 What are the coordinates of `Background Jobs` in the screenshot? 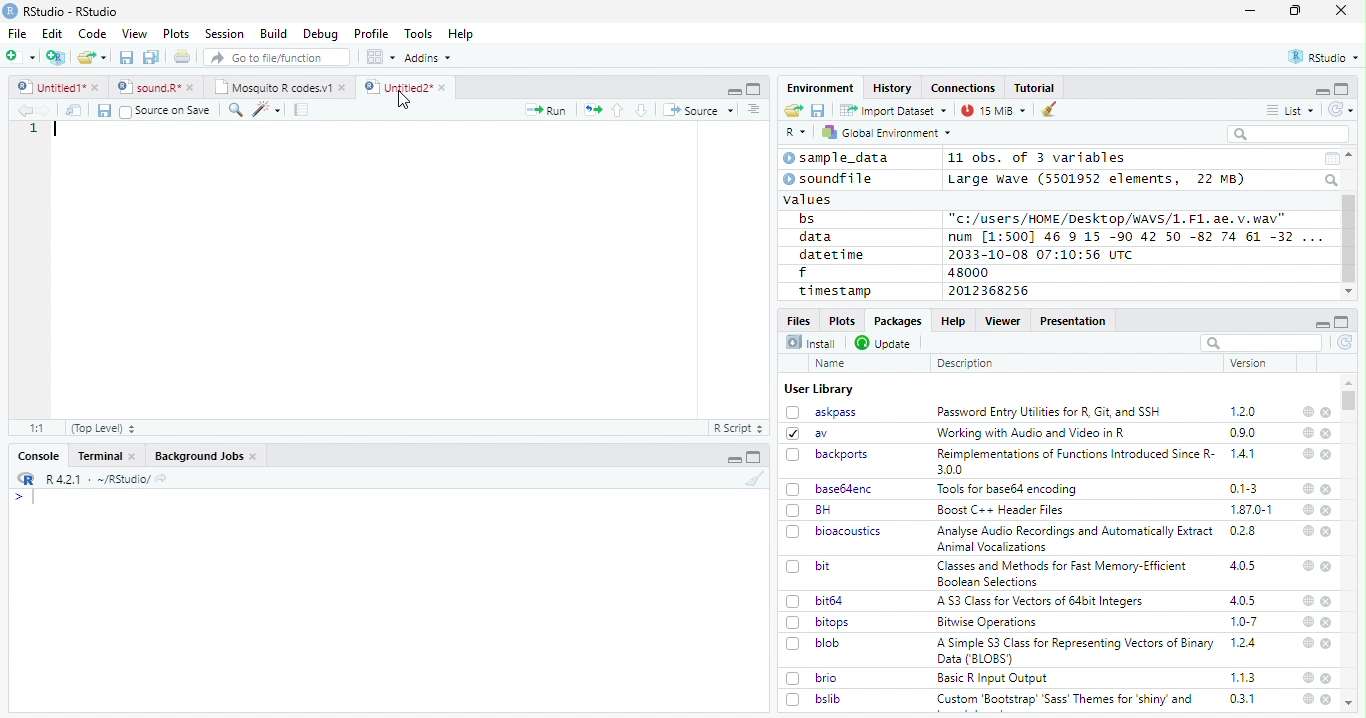 It's located at (206, 456).